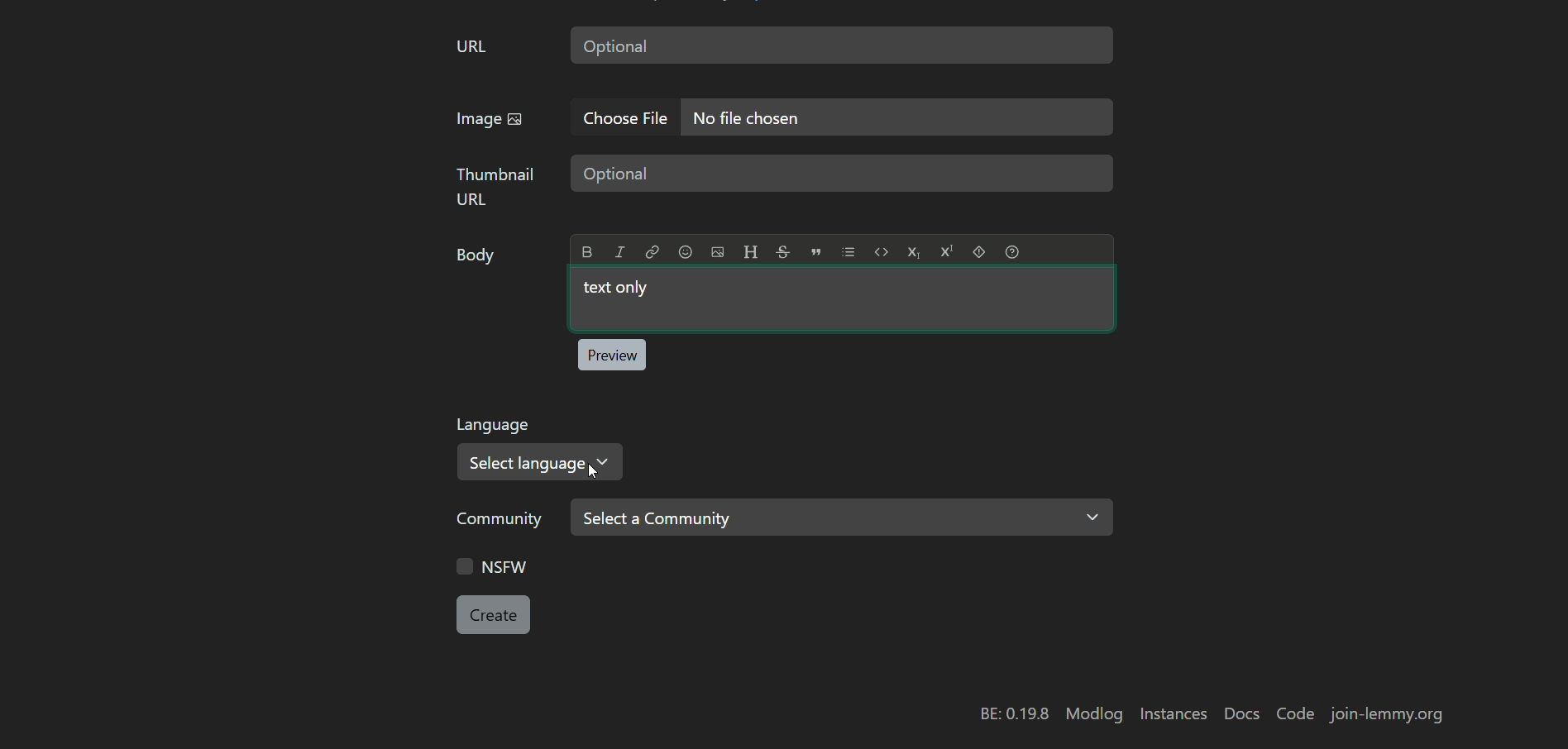 This screenshot has width=1568, height=749. I want to click on create button, so click(494, 615).